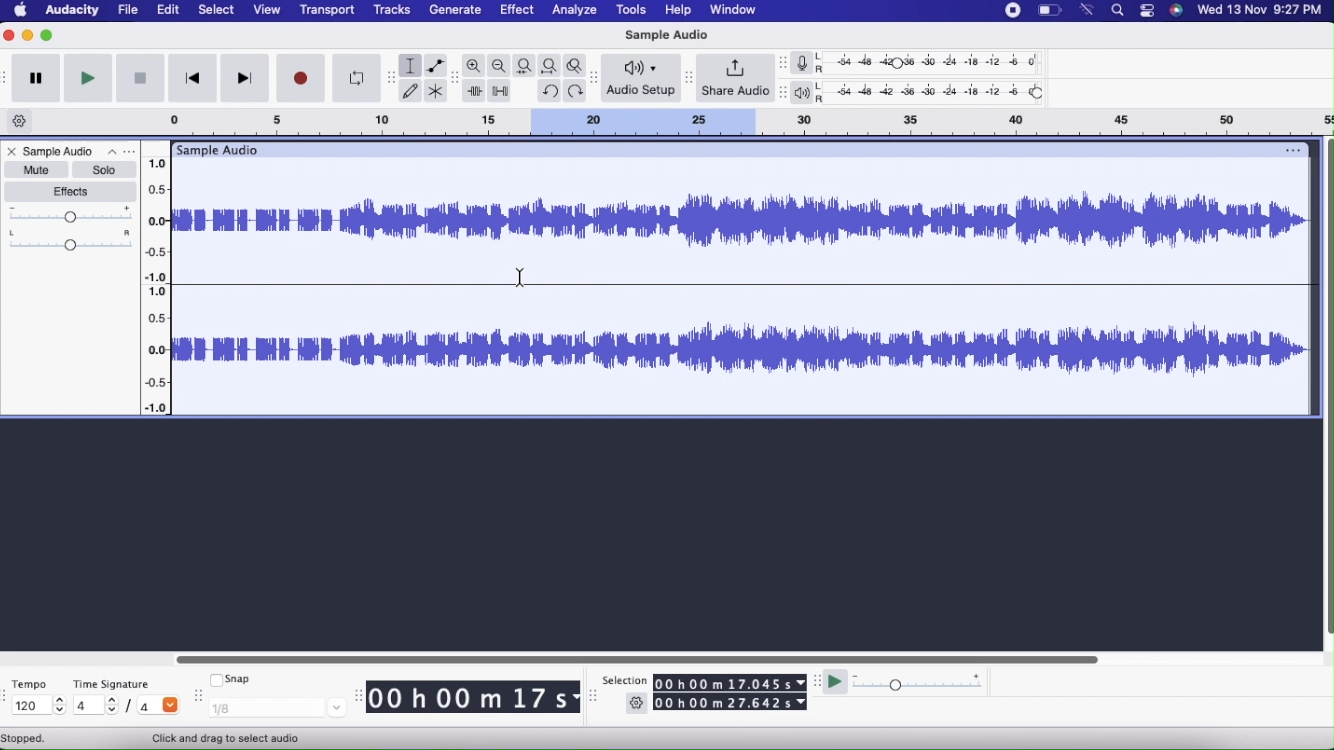 Image resolution: width=1334 pixels, height=750 pixels. Describe the element at coordinates (73, 192) in the screenshot. I see `Effects` at that location.